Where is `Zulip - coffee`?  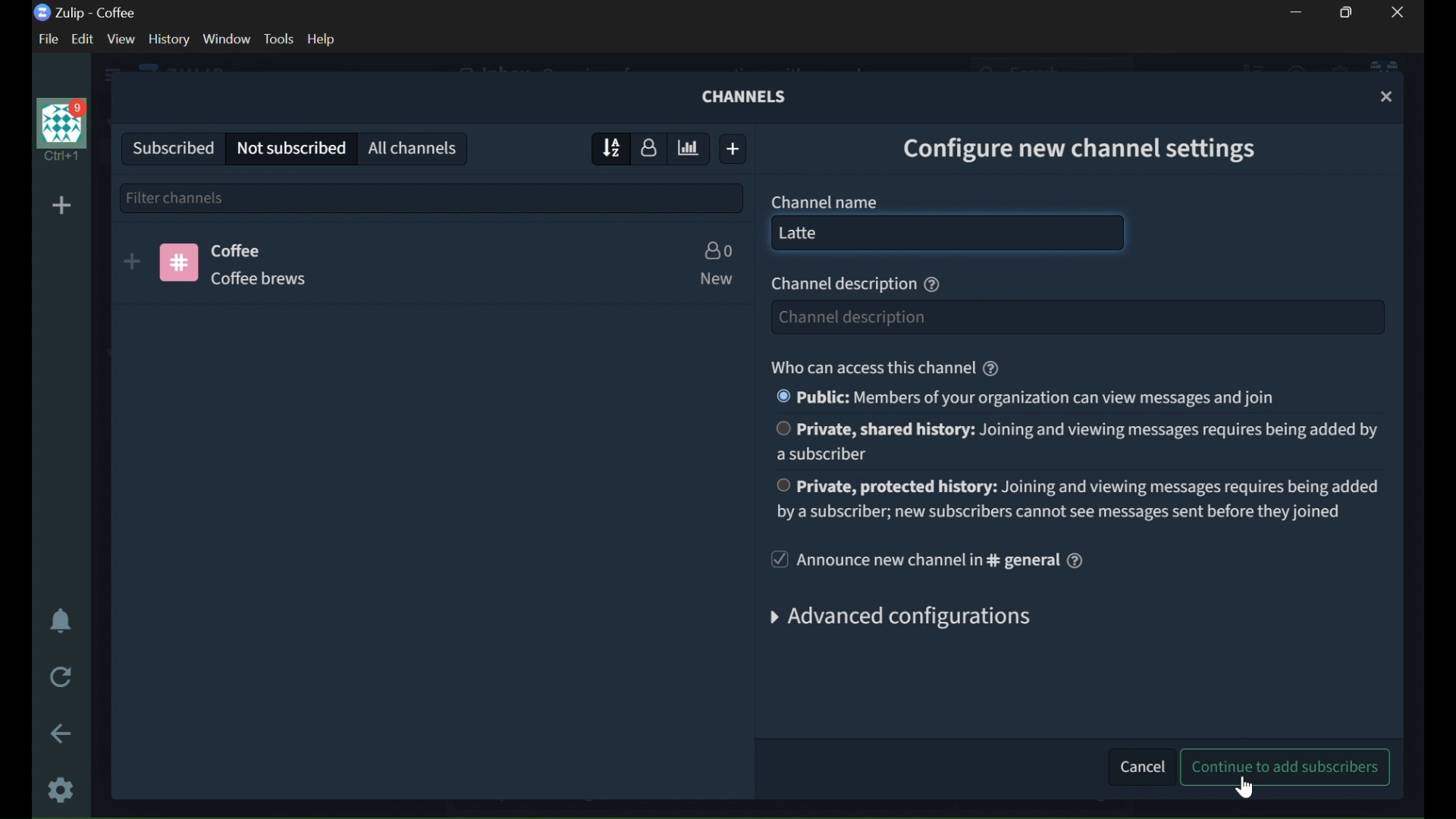 Zulip - coffee is located at coordinates (85, 13).